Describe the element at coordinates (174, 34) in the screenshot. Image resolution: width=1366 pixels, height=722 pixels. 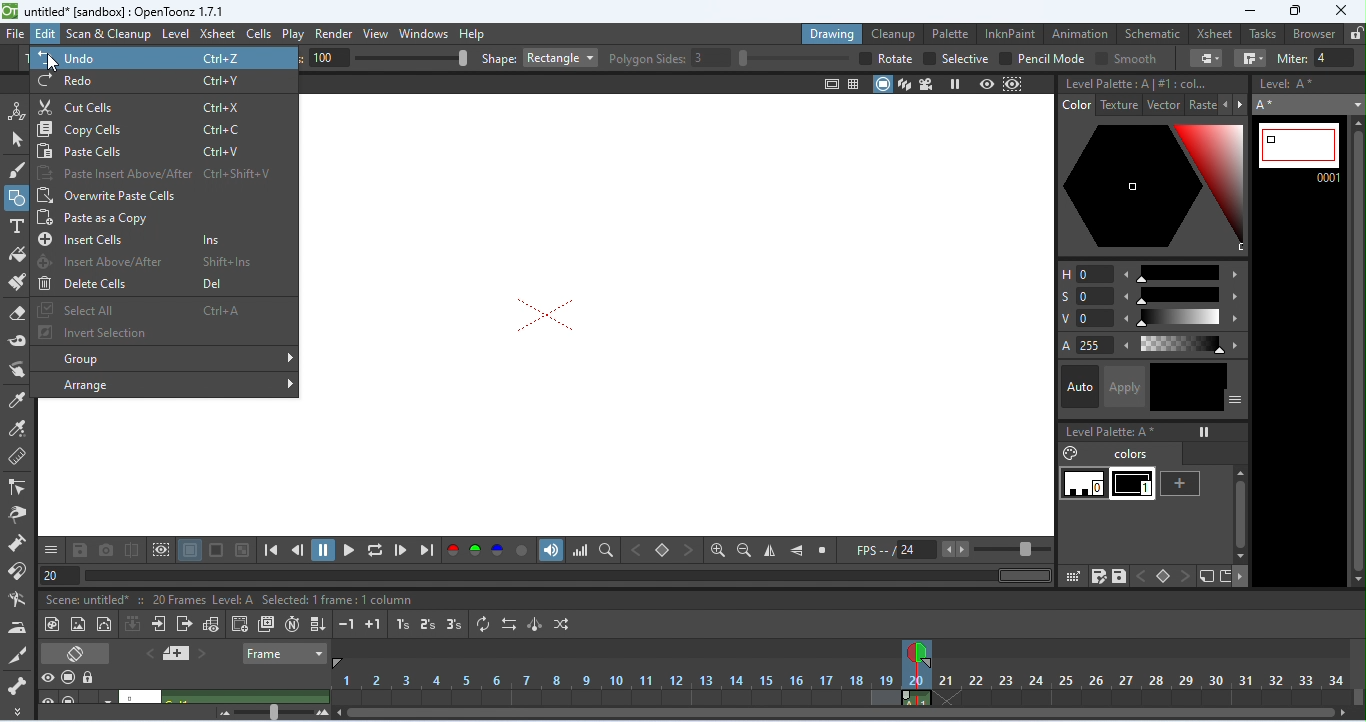
I see `level` at that location.